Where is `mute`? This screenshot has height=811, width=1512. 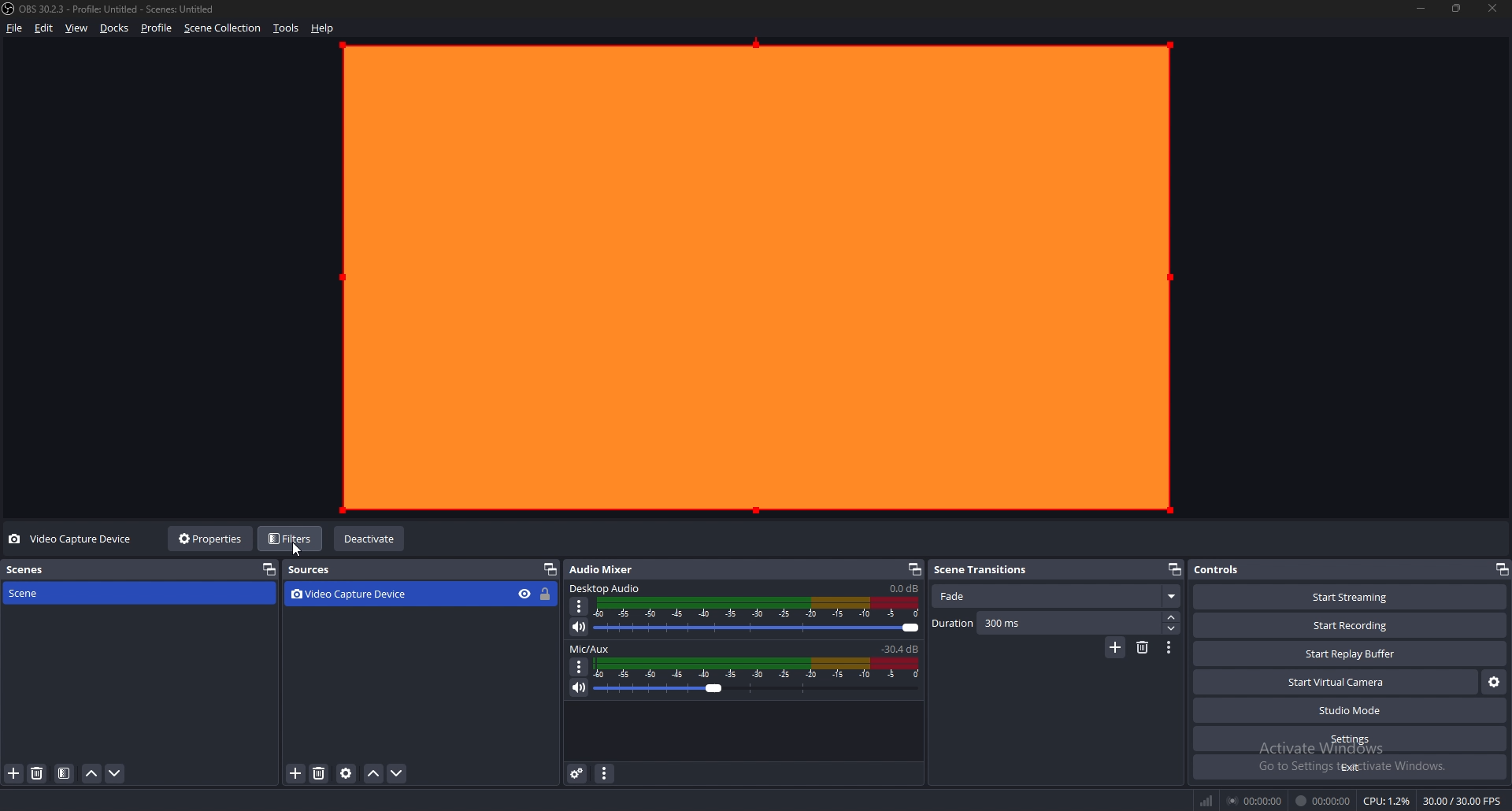
mute is located at coordinates (578, 628).